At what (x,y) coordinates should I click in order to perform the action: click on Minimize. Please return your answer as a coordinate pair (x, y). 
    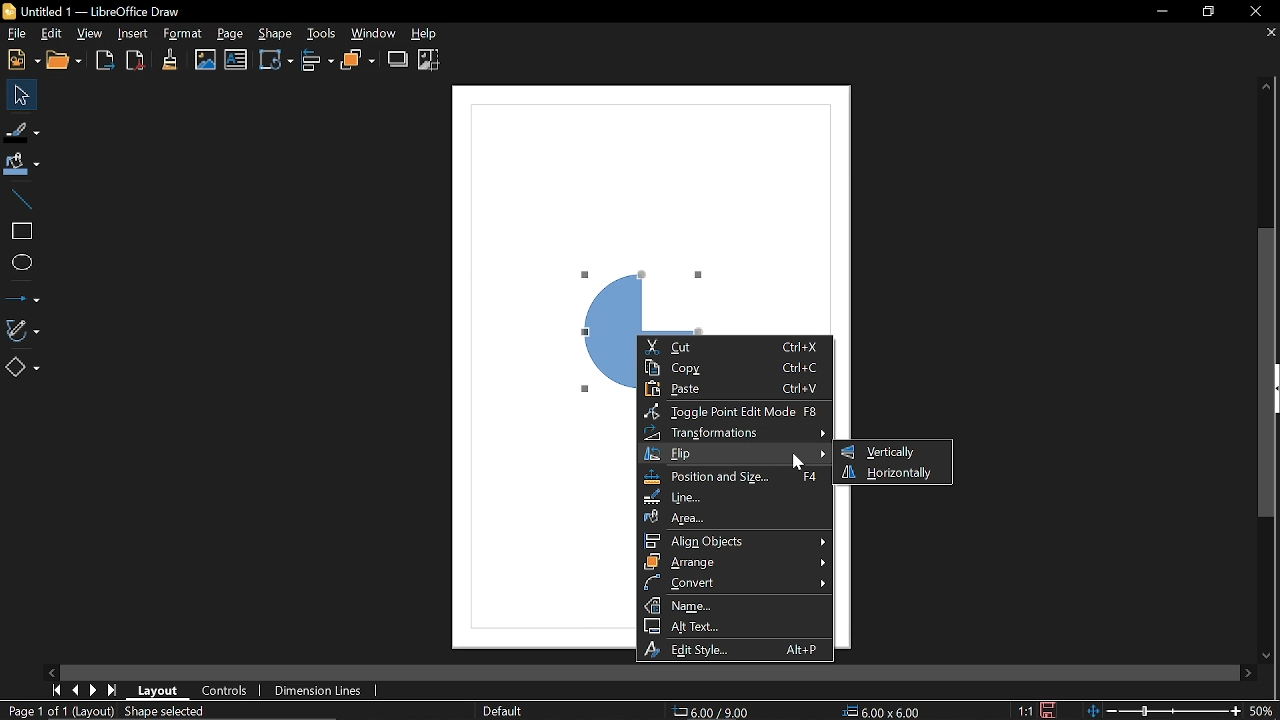
    Looking at the image, I should click on (1162, 13).